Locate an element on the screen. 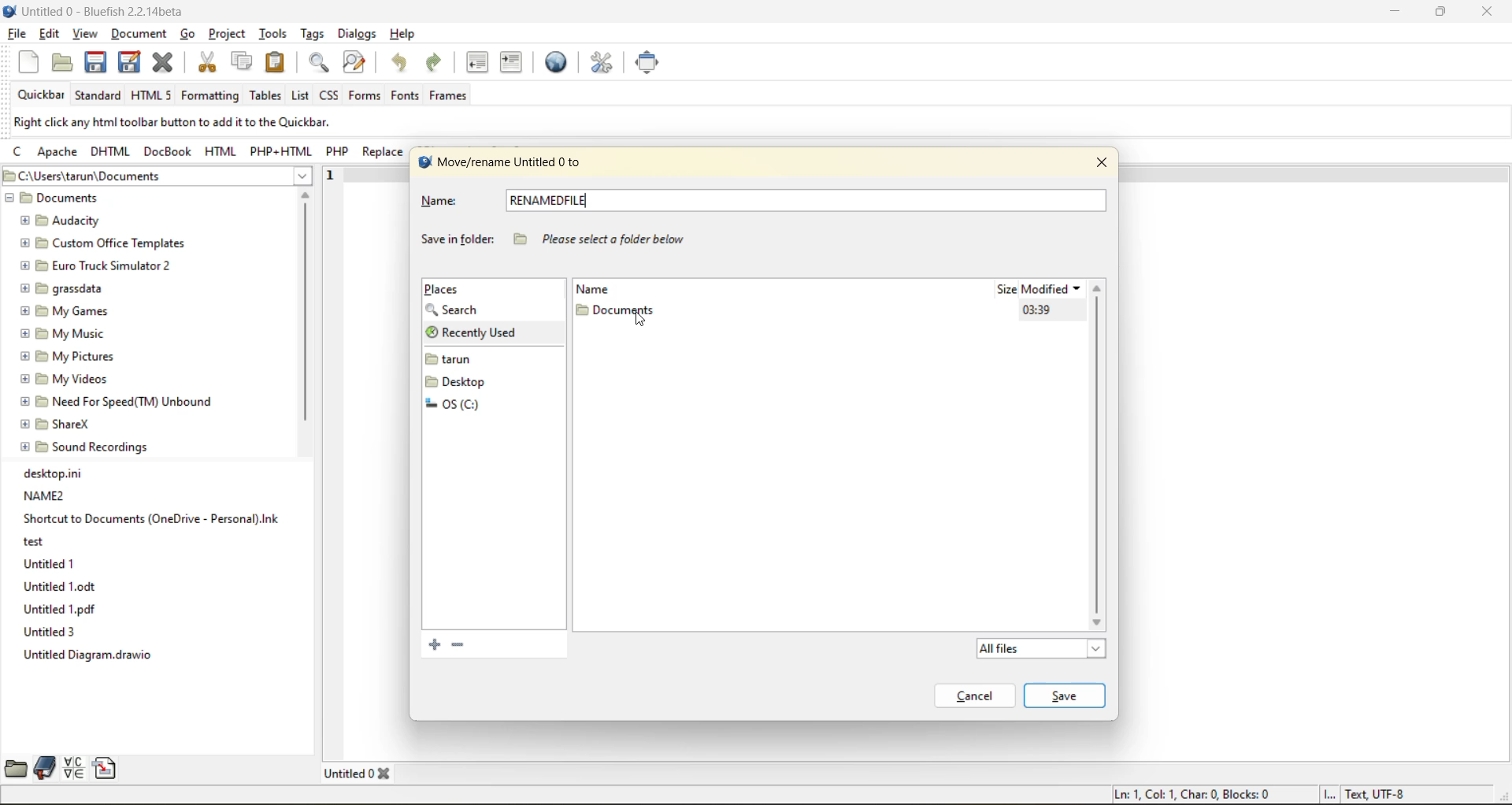 This screenshot has width=1512, height=805. file location is located at coordinates (141, 176).